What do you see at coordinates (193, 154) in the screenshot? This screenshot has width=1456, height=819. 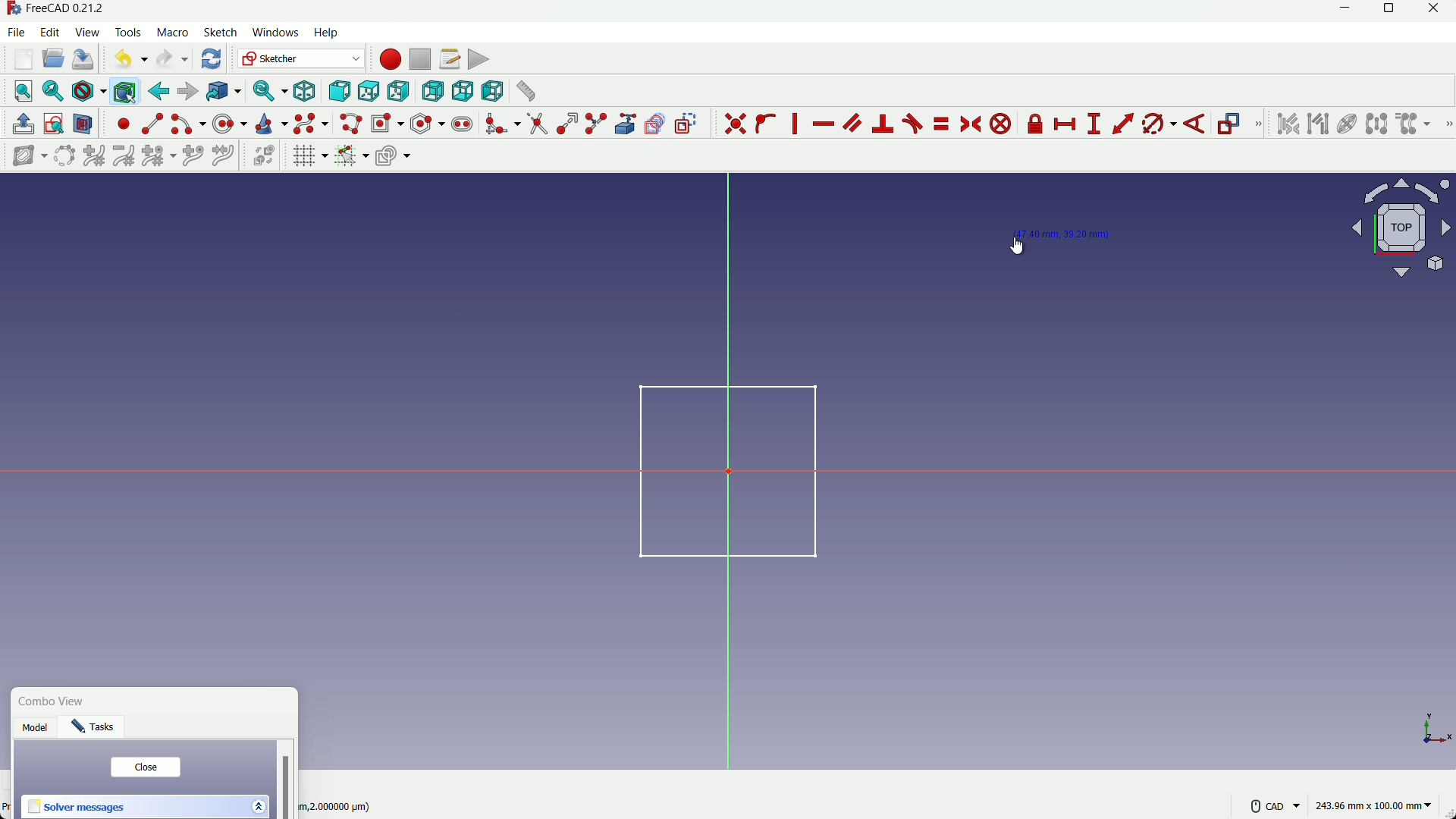 I see `insert knot` at bounding box center [193, 154].